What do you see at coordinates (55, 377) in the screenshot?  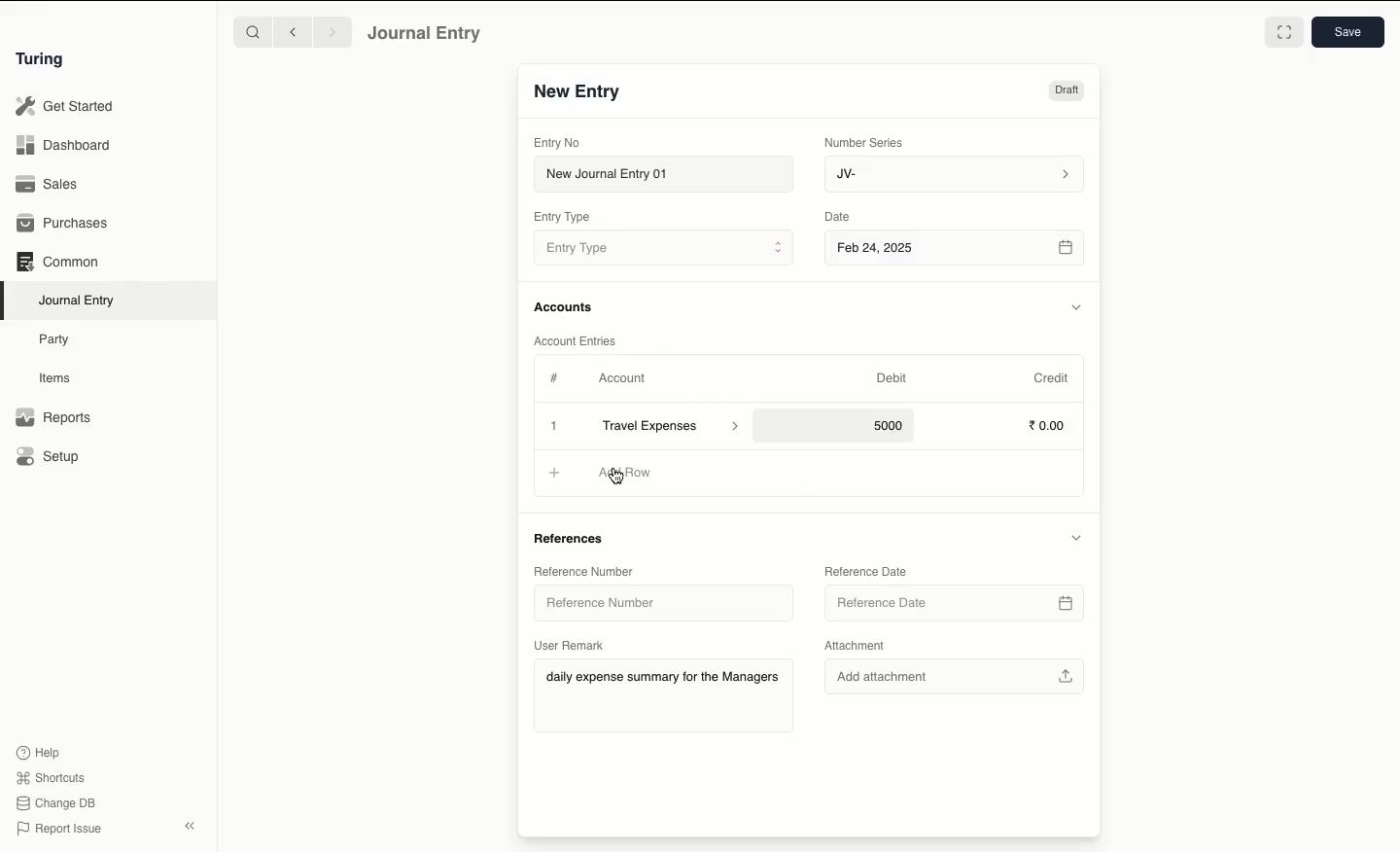 I see `Items` at bounding box center [55, 377].